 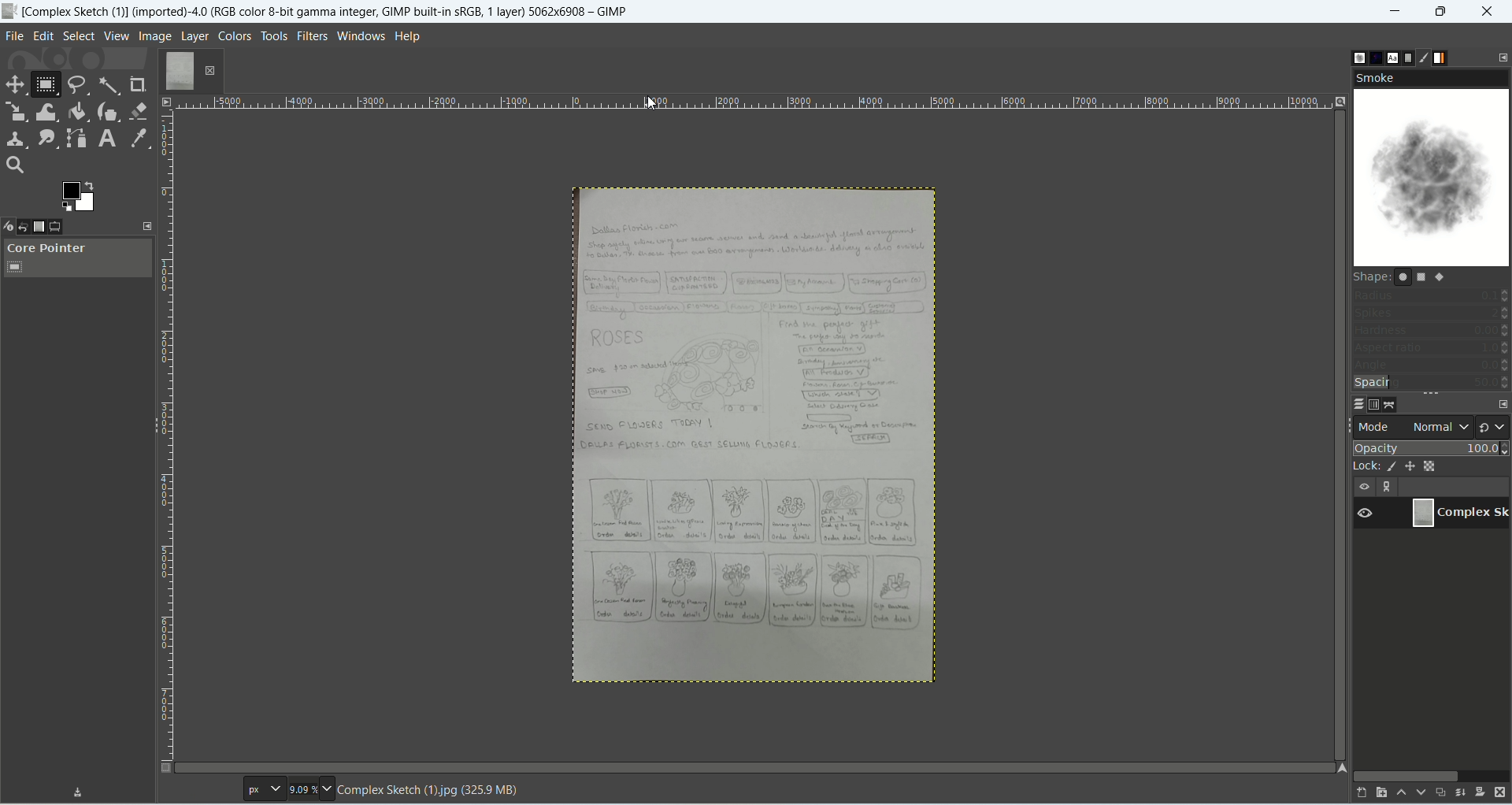 I want to click on configure this tab, so click(x=1502, y=403).